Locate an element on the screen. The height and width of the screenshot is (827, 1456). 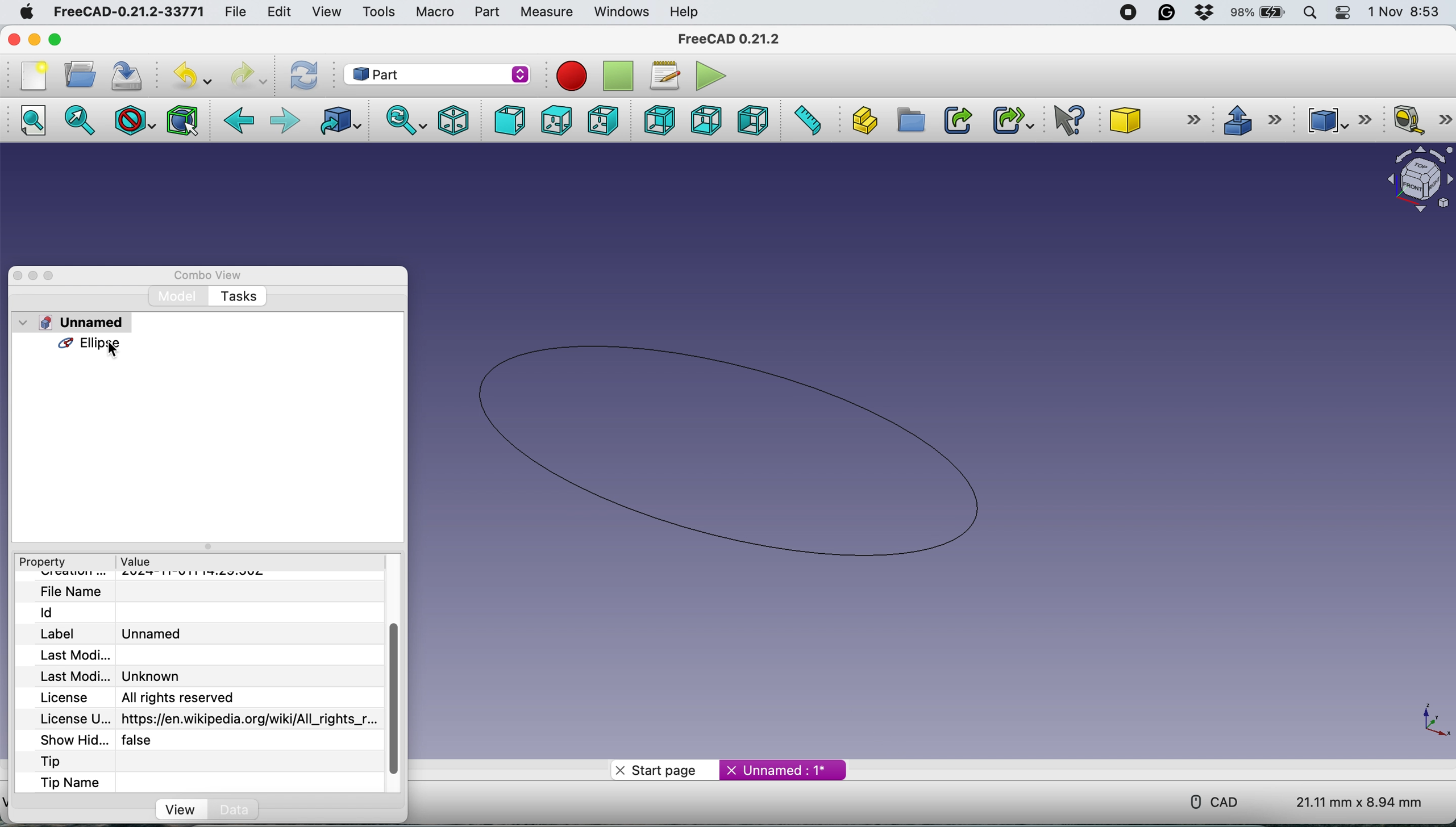
measure is located at coordinates (546, 13).